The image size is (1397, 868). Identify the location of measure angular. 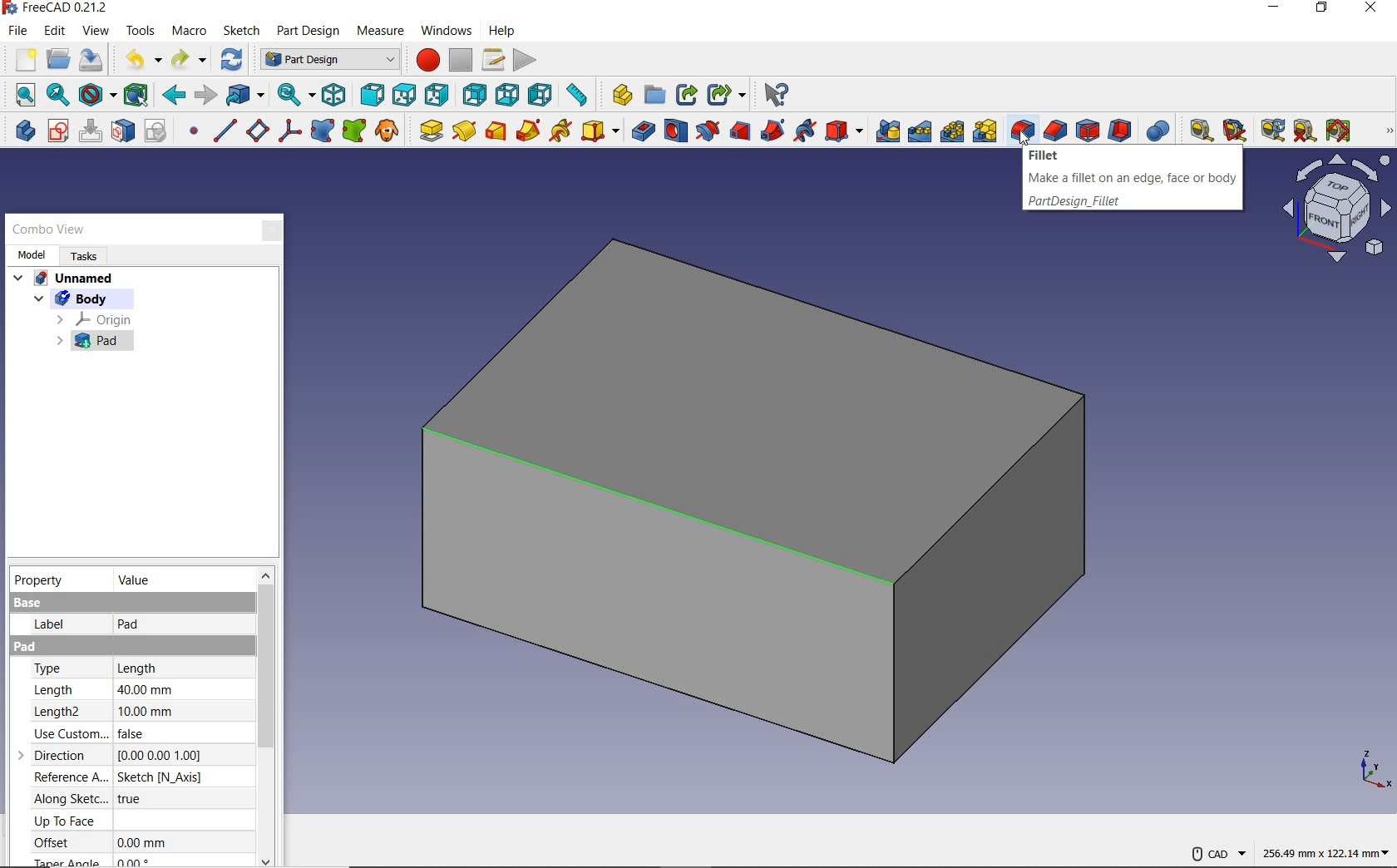
(1237, 131).